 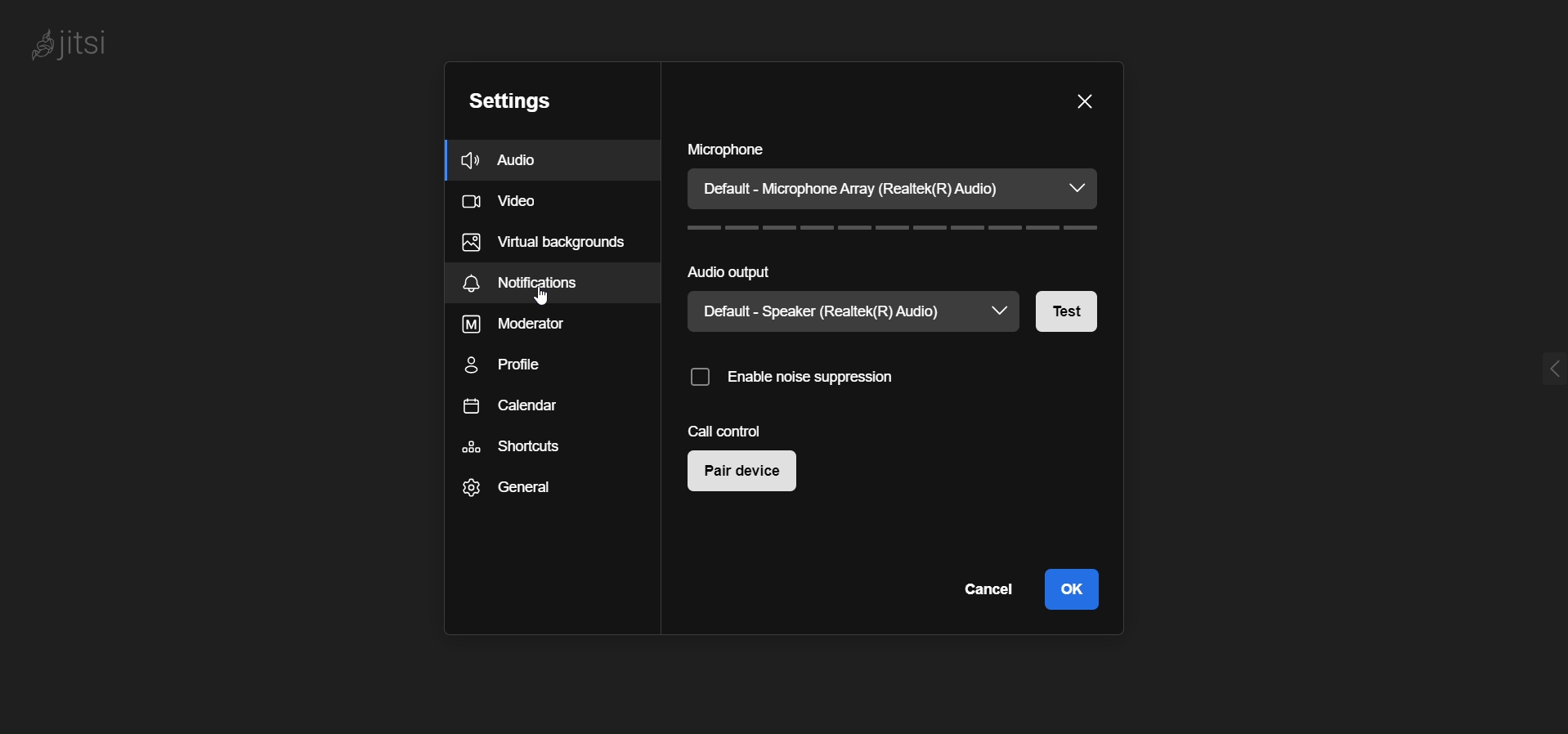 What do you see at coordinates (730, 430) in the screenshot?
I see `call control` at bounding box center [730, 430].